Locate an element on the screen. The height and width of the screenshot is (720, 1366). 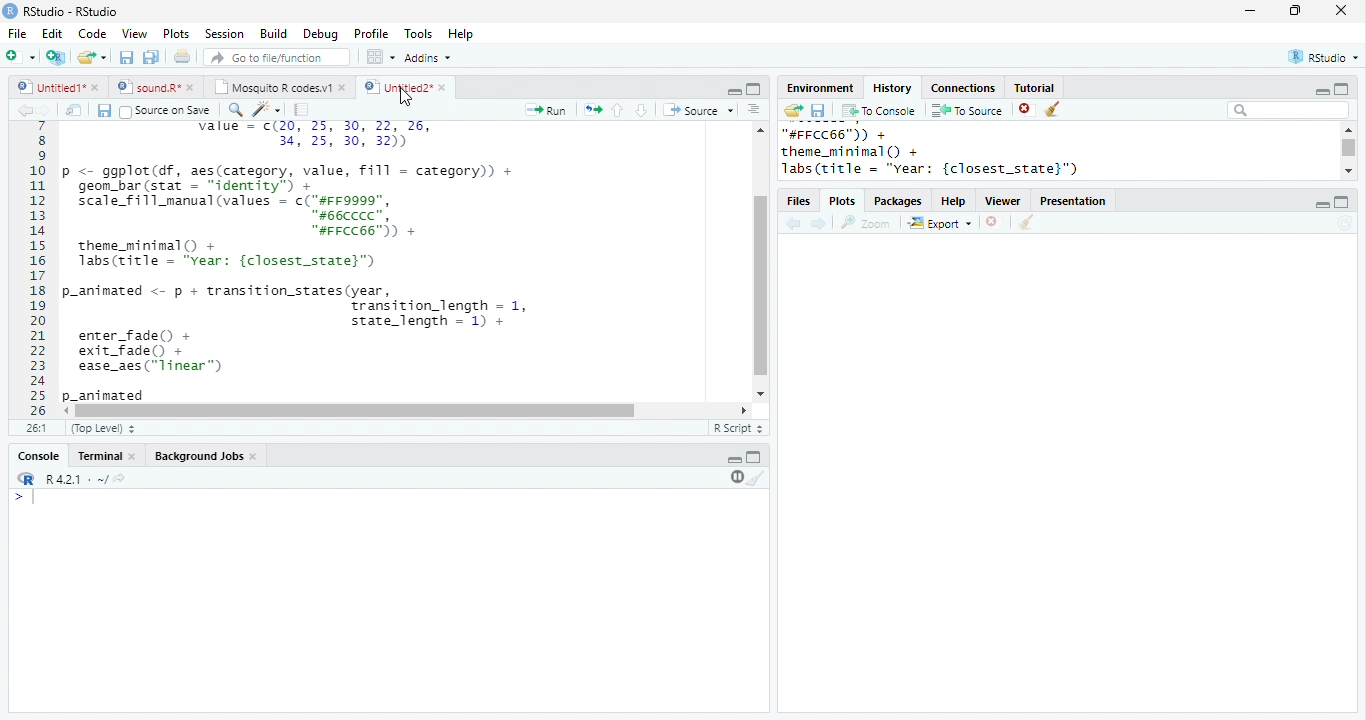
save is located at coordinates (104, 110).